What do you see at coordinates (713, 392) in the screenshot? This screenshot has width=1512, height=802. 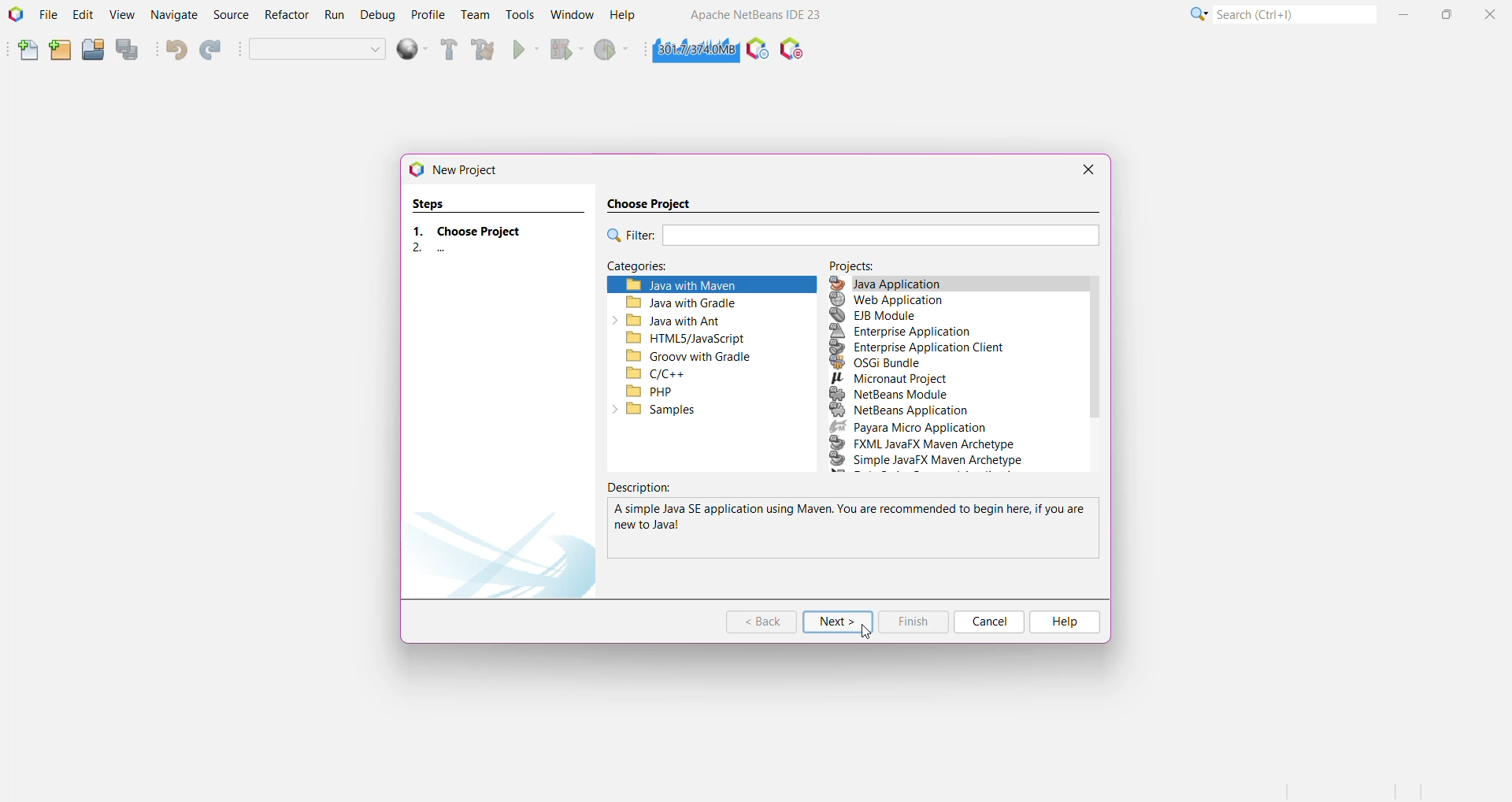 I see `PHP` at bounding box center [713, 392].